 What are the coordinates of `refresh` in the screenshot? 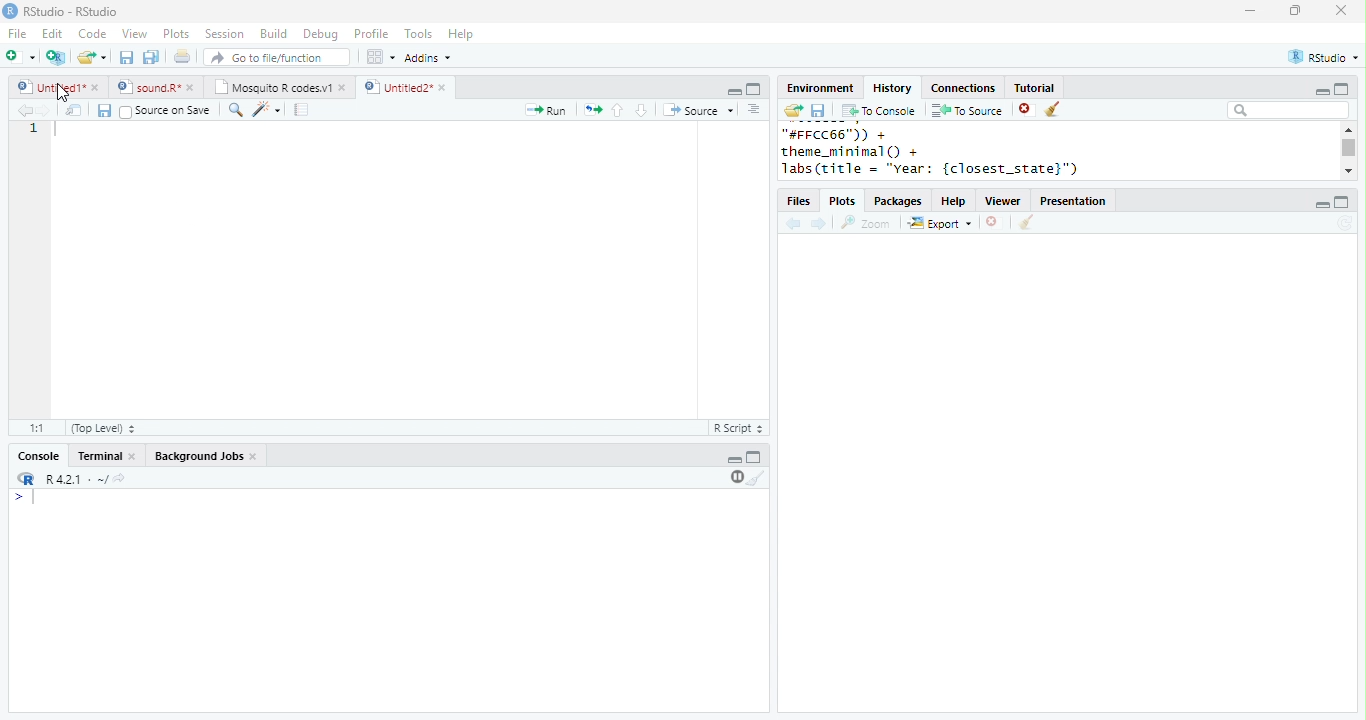 It's located at (1345, 223).